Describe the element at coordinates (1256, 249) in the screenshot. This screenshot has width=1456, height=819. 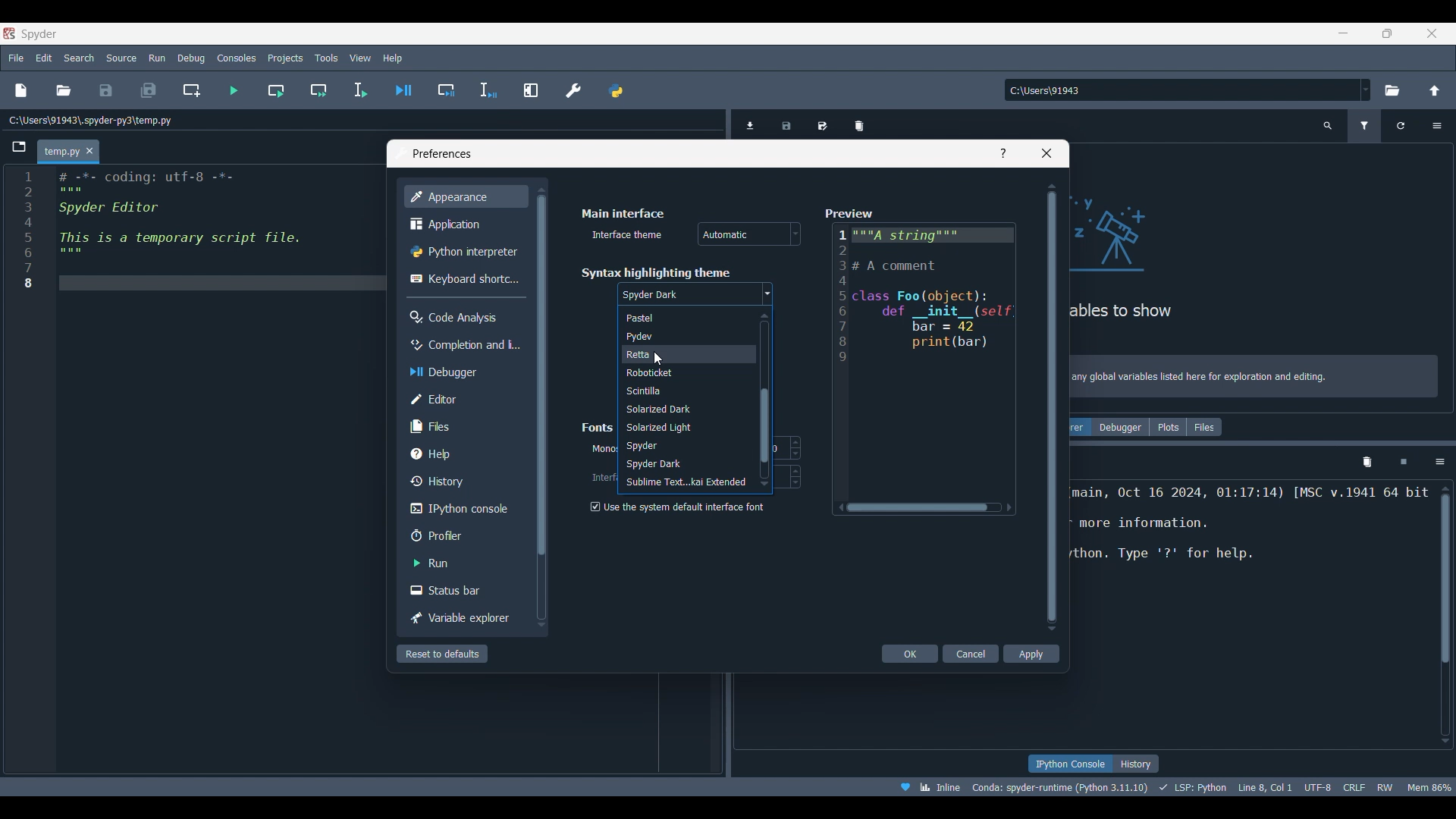
I see `variable explorer pane` at that location.